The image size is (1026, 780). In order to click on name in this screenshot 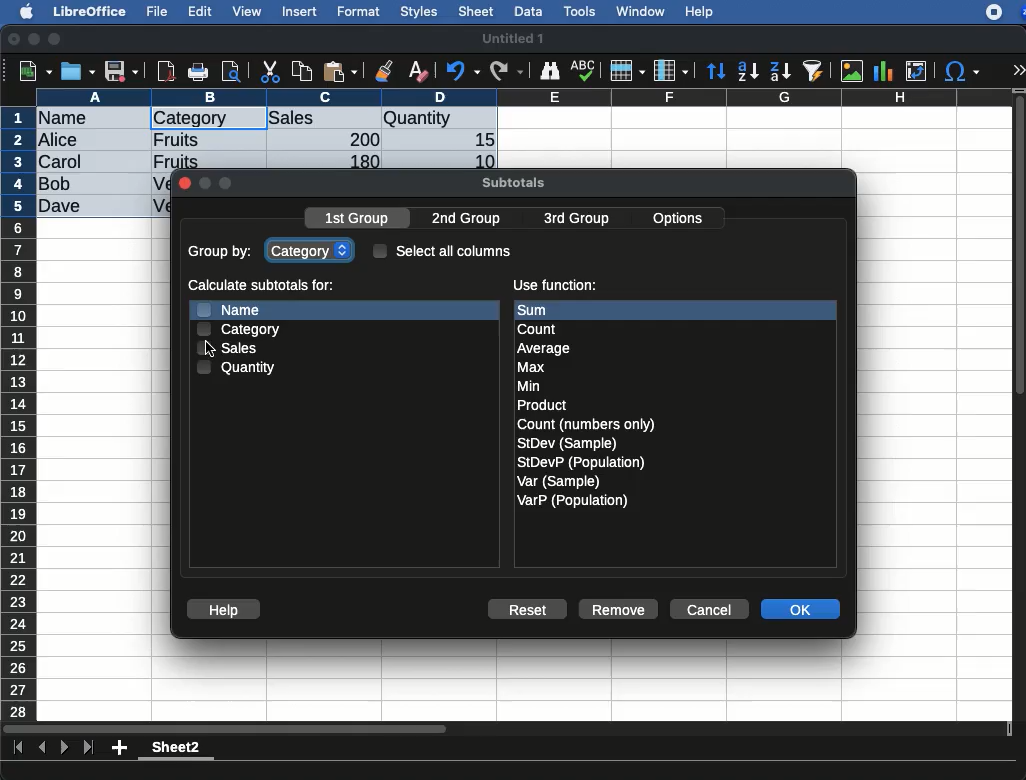, I will do `click(227, 309)`.